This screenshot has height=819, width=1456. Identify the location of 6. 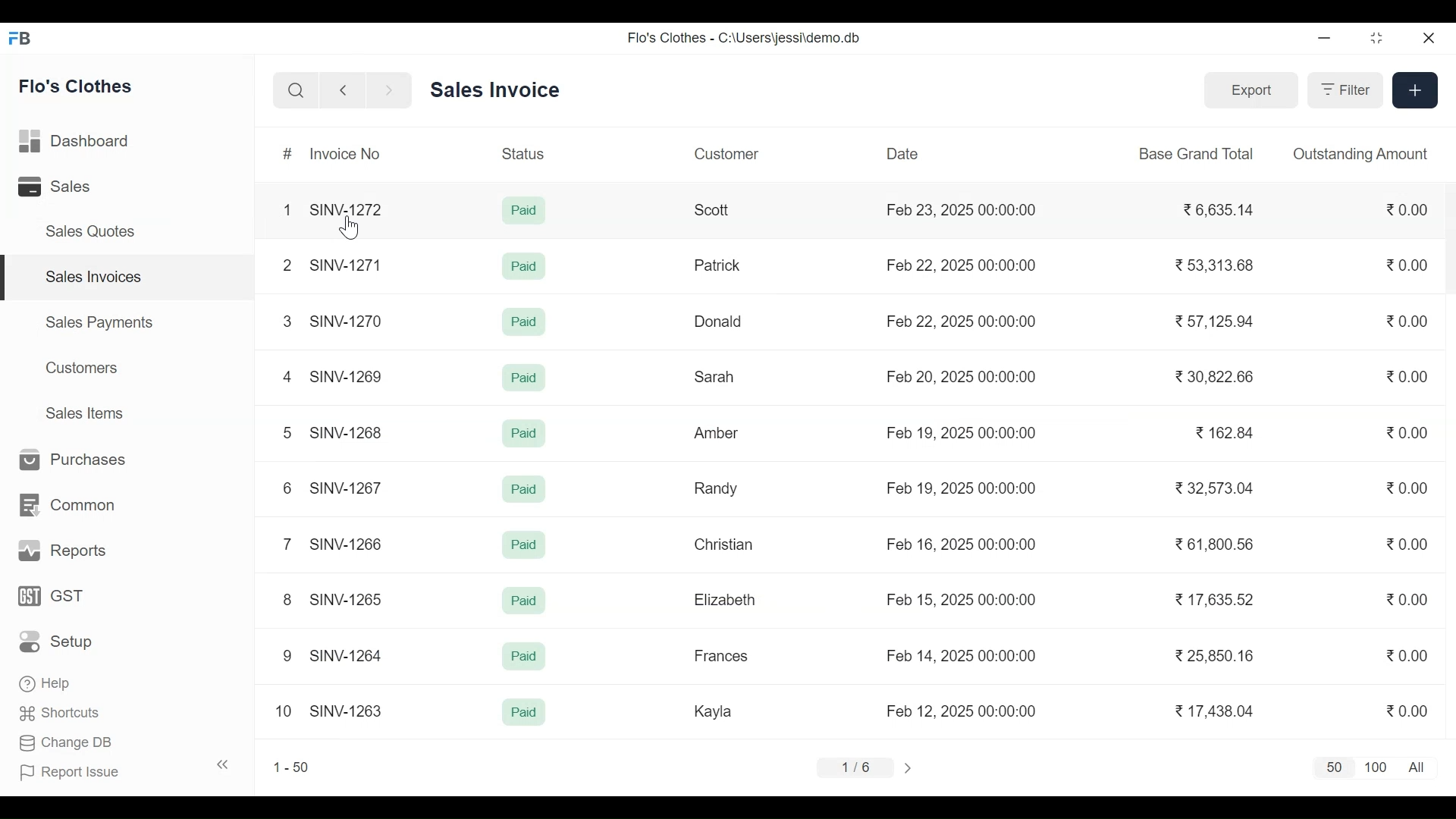
(287, 486).